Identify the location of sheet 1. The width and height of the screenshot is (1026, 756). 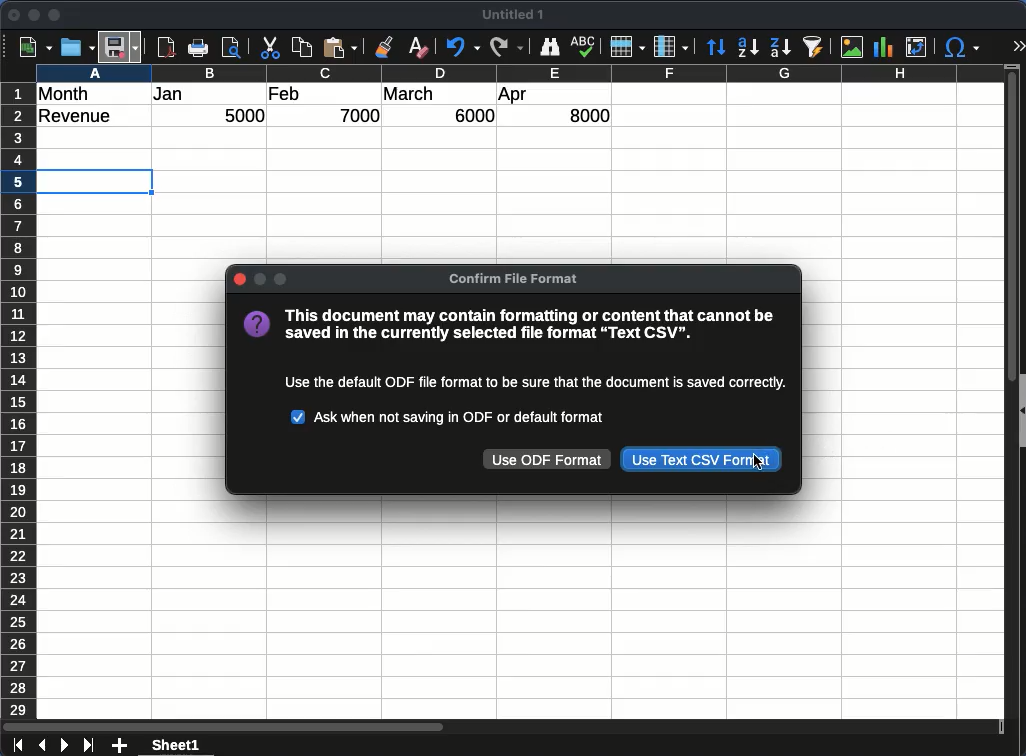
(194, 745).